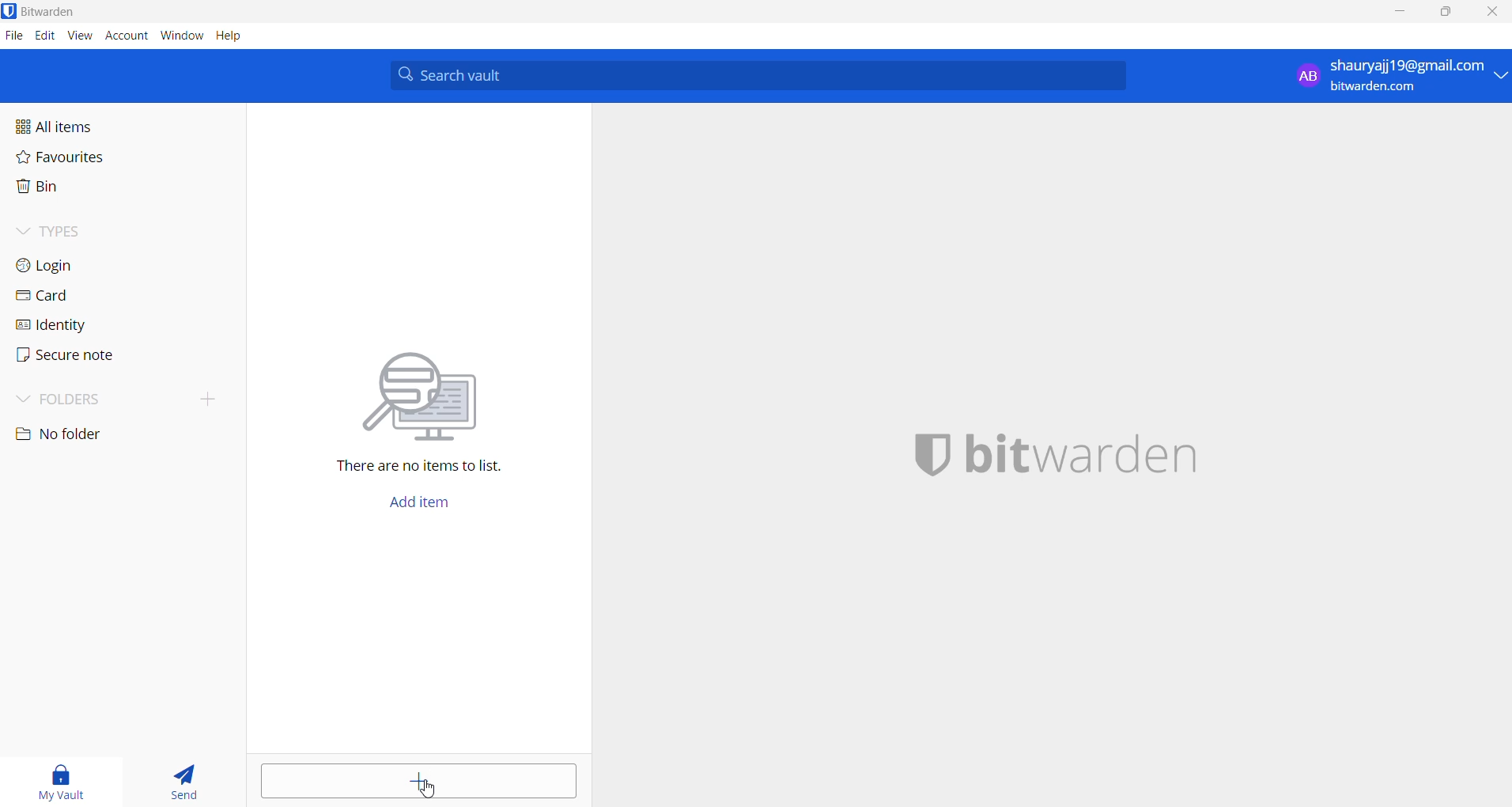  I want to click on window, so click(181, 37).